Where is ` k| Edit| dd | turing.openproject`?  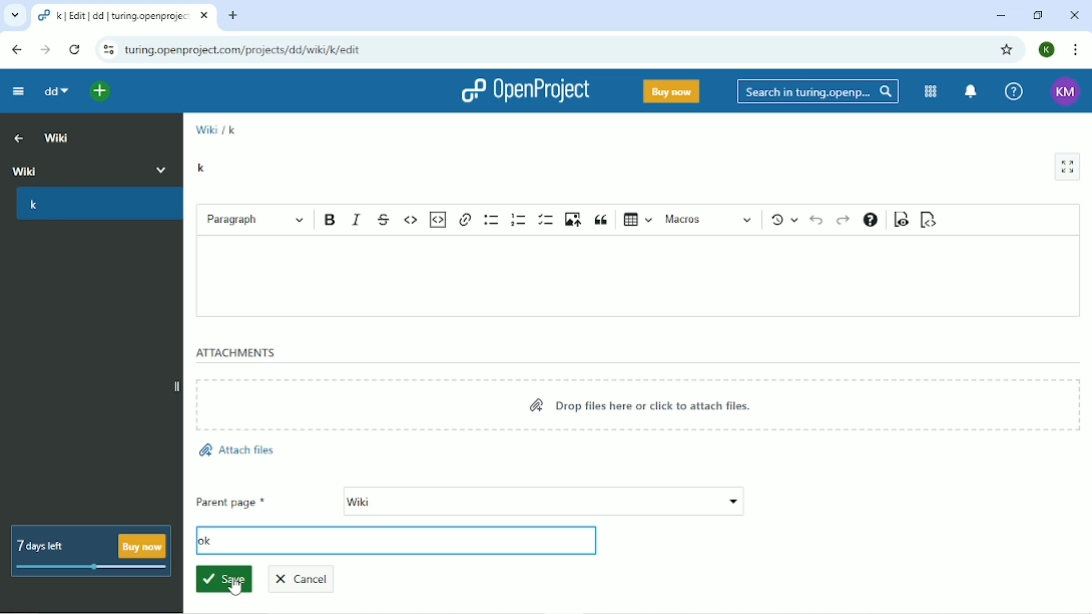
 k| Edit| dd | turing.openproject is located at coordinates (114, 16).